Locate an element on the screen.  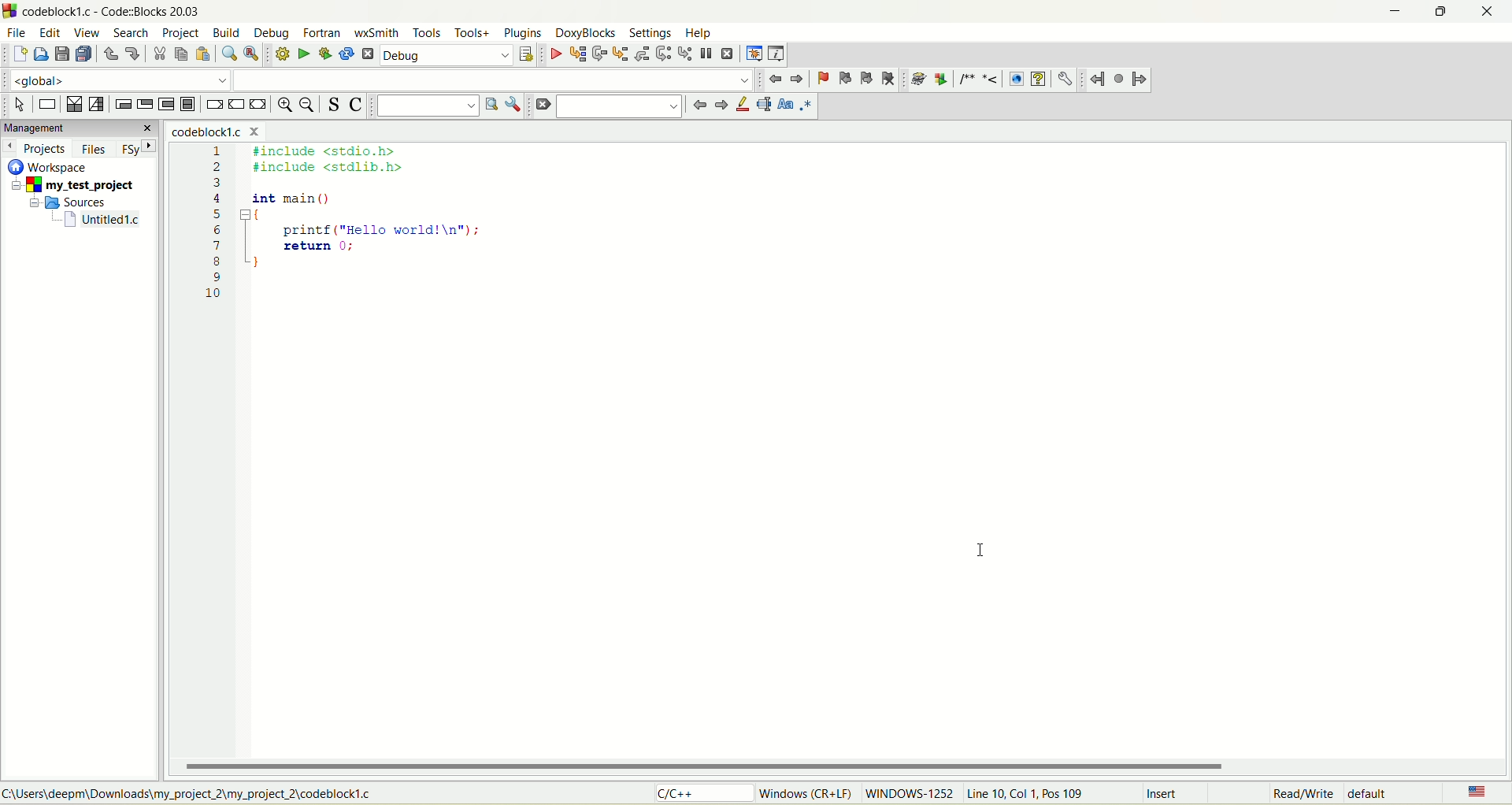
global is located at coordinates (113, 80).